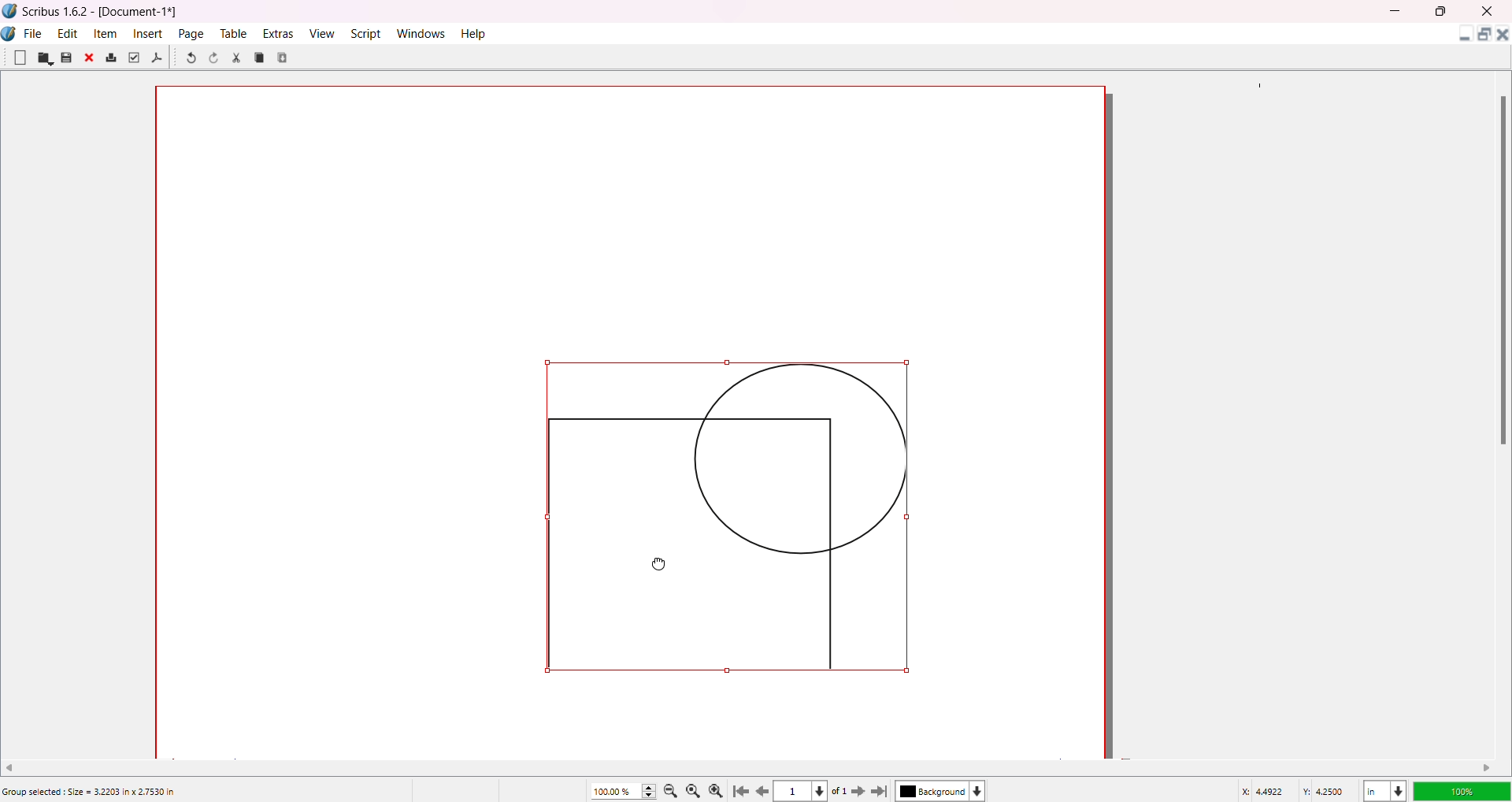 The width and height of the screenshot is (1512, 802). I want to click on Zoom percentage, so click(614, 790).